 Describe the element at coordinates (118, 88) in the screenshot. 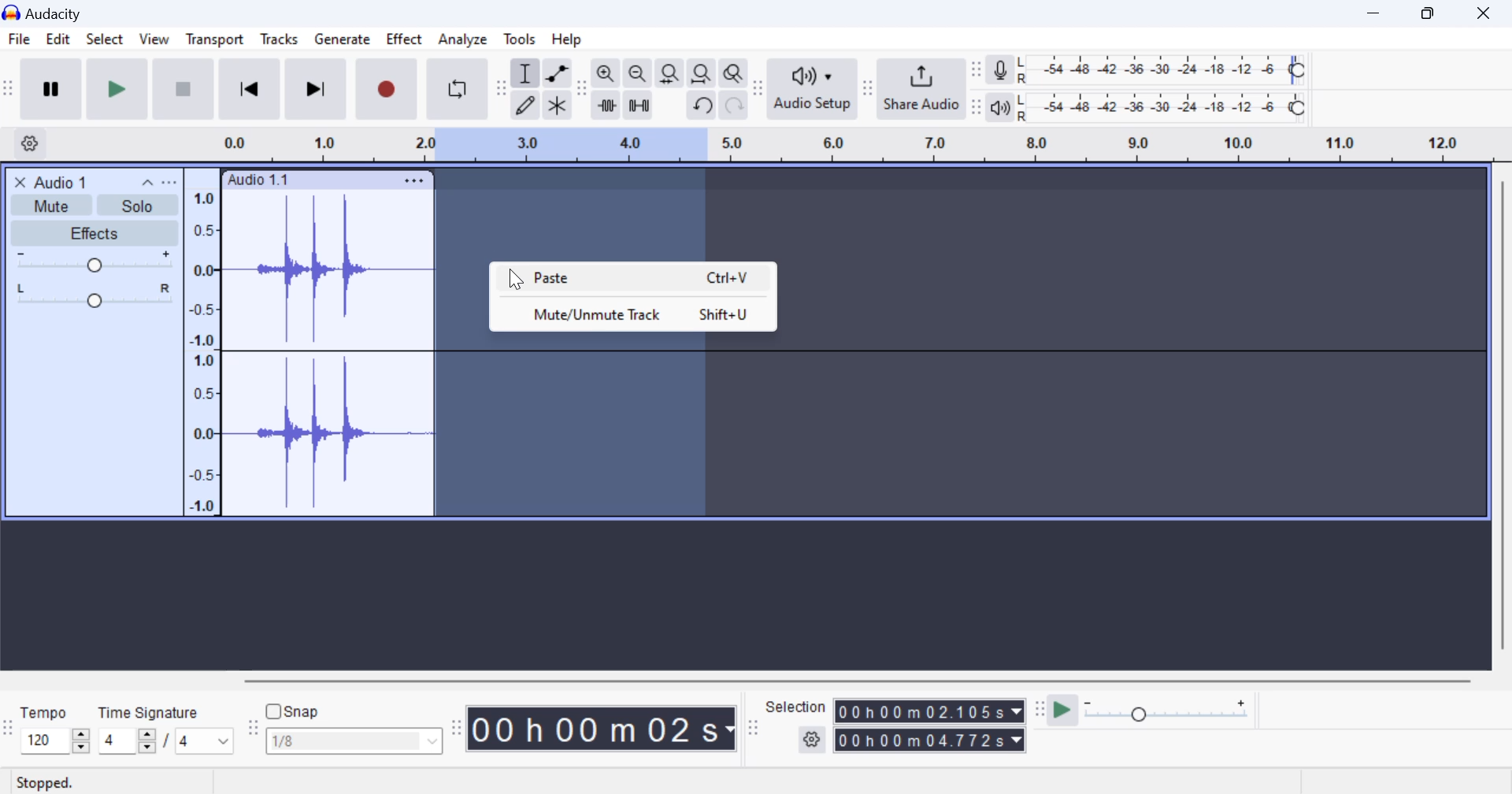

I see `Play` at that location.